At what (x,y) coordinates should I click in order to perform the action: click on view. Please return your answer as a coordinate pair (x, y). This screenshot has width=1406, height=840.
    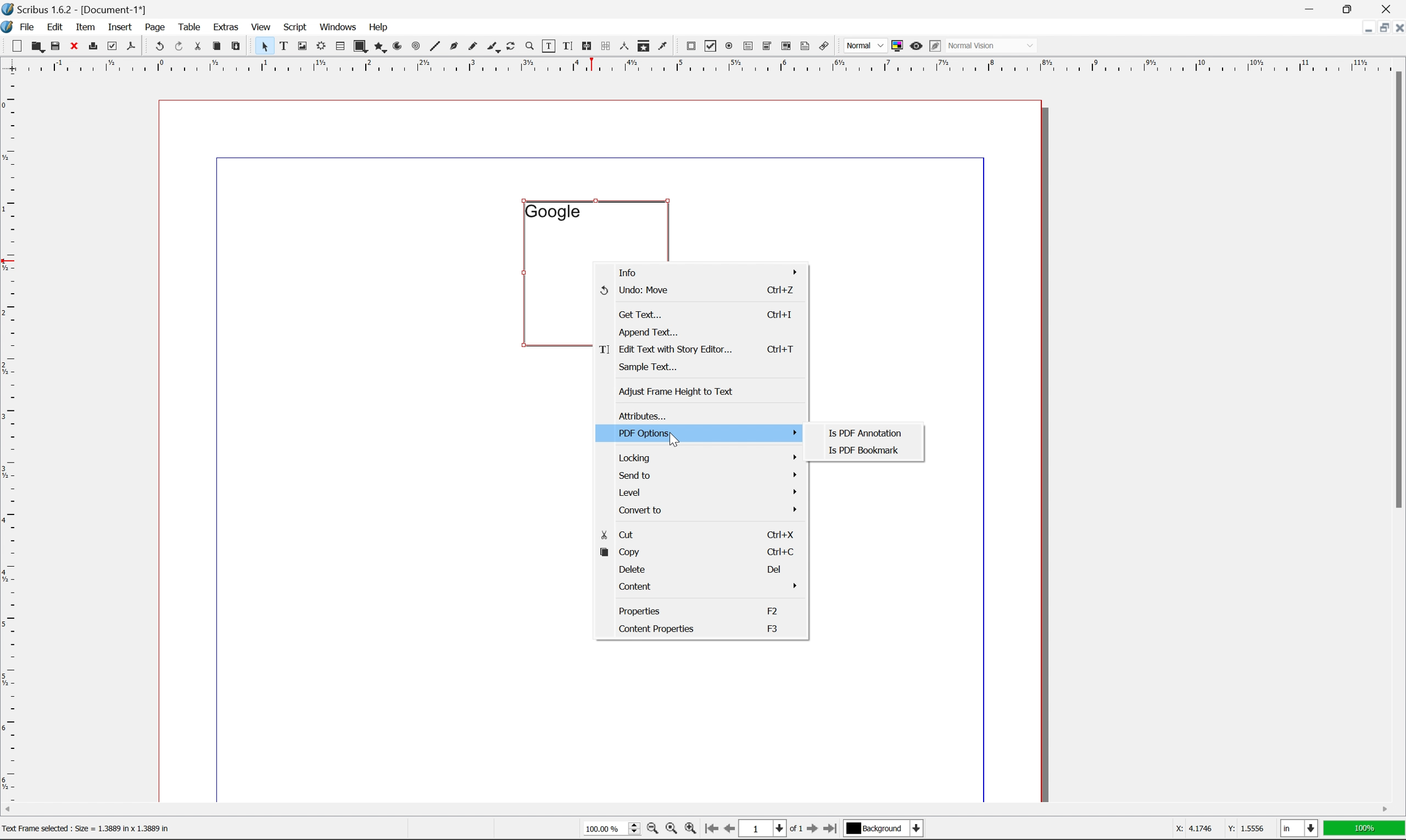
    Looking at the image, I should click on (263, 26).